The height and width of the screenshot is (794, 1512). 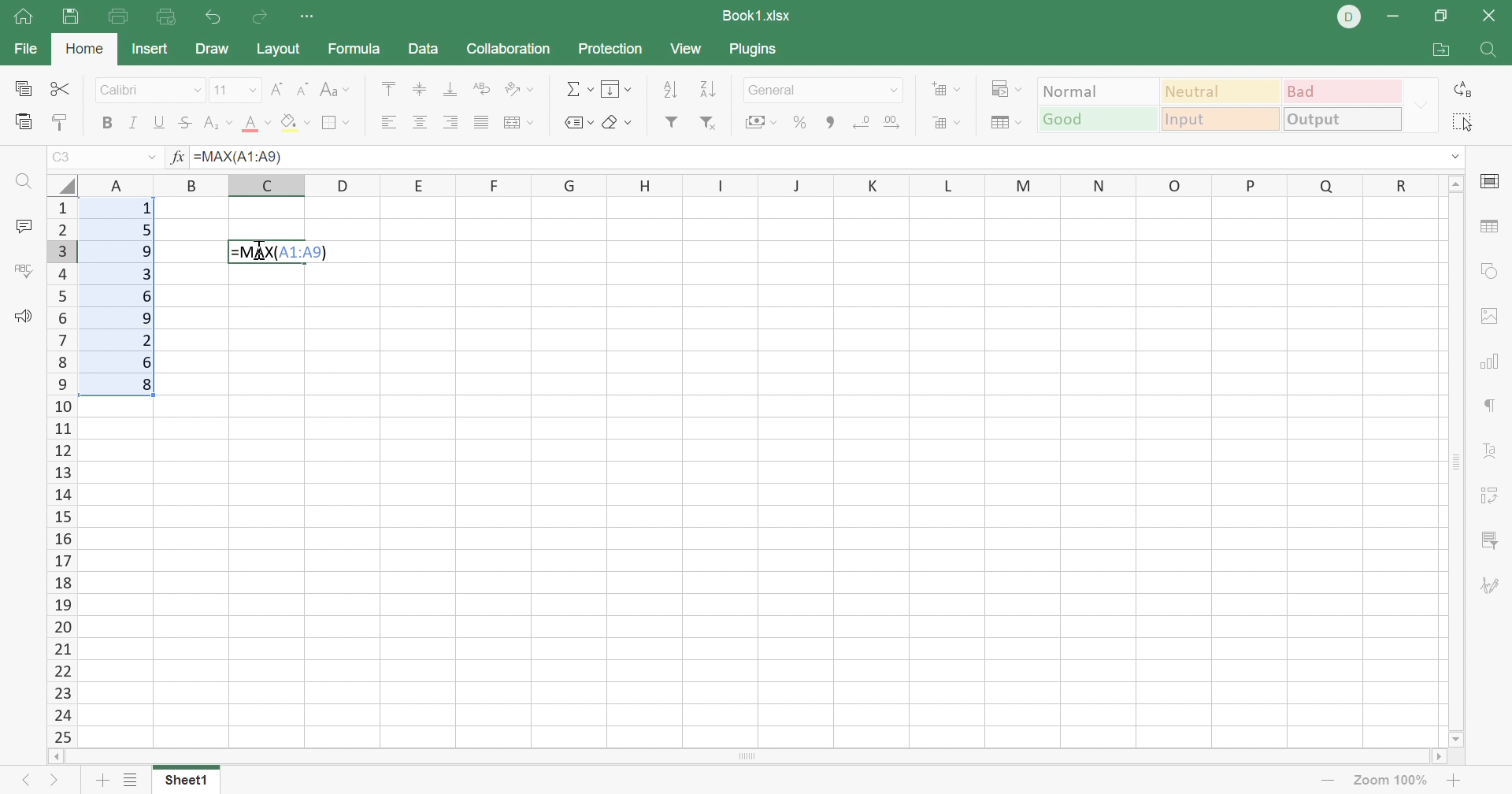 I want to click on Fill color, so click(x=295, y=122).